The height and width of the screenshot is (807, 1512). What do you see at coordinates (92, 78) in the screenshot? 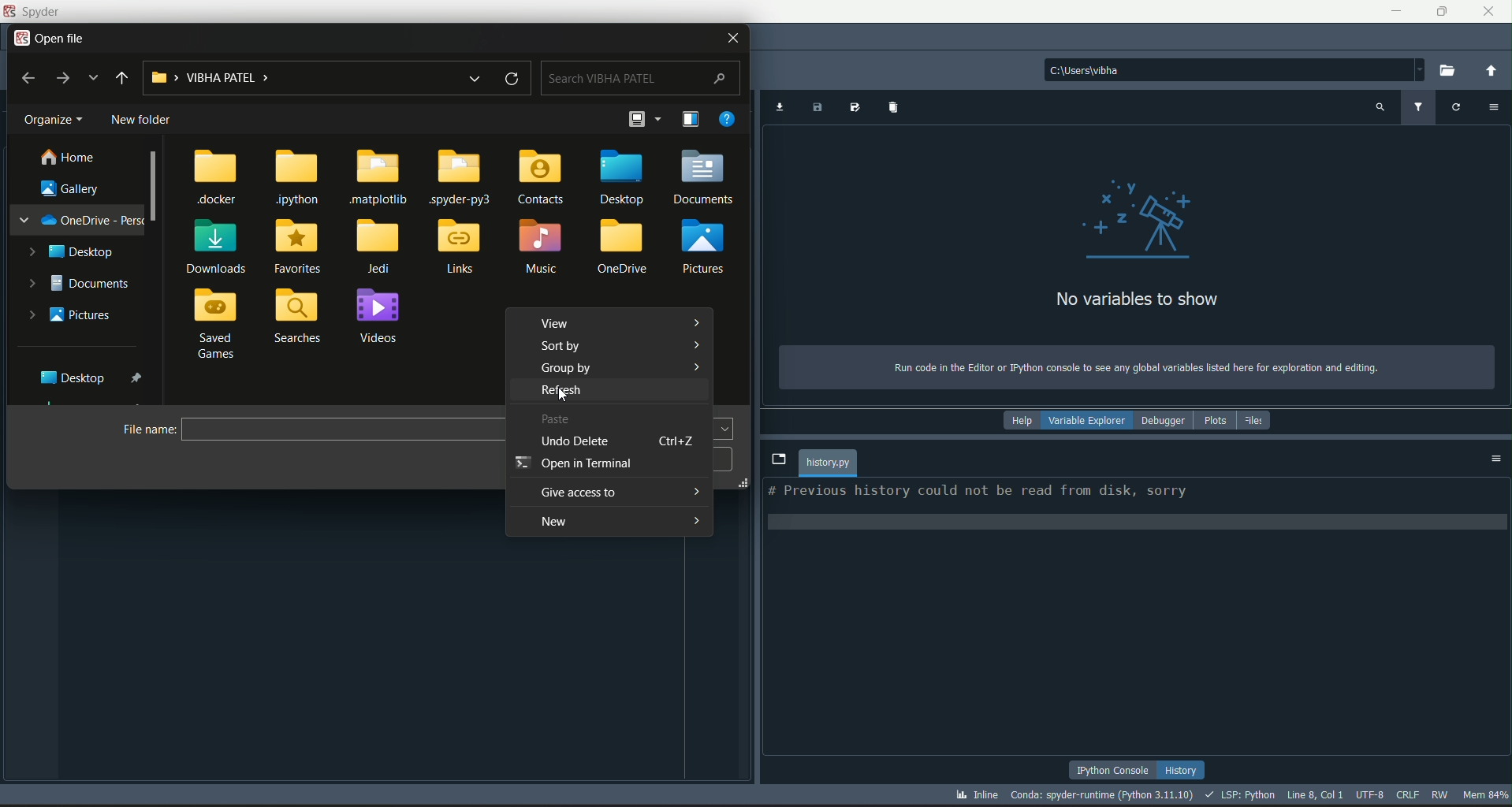
I see `recent` at bounding box center [92, 78].